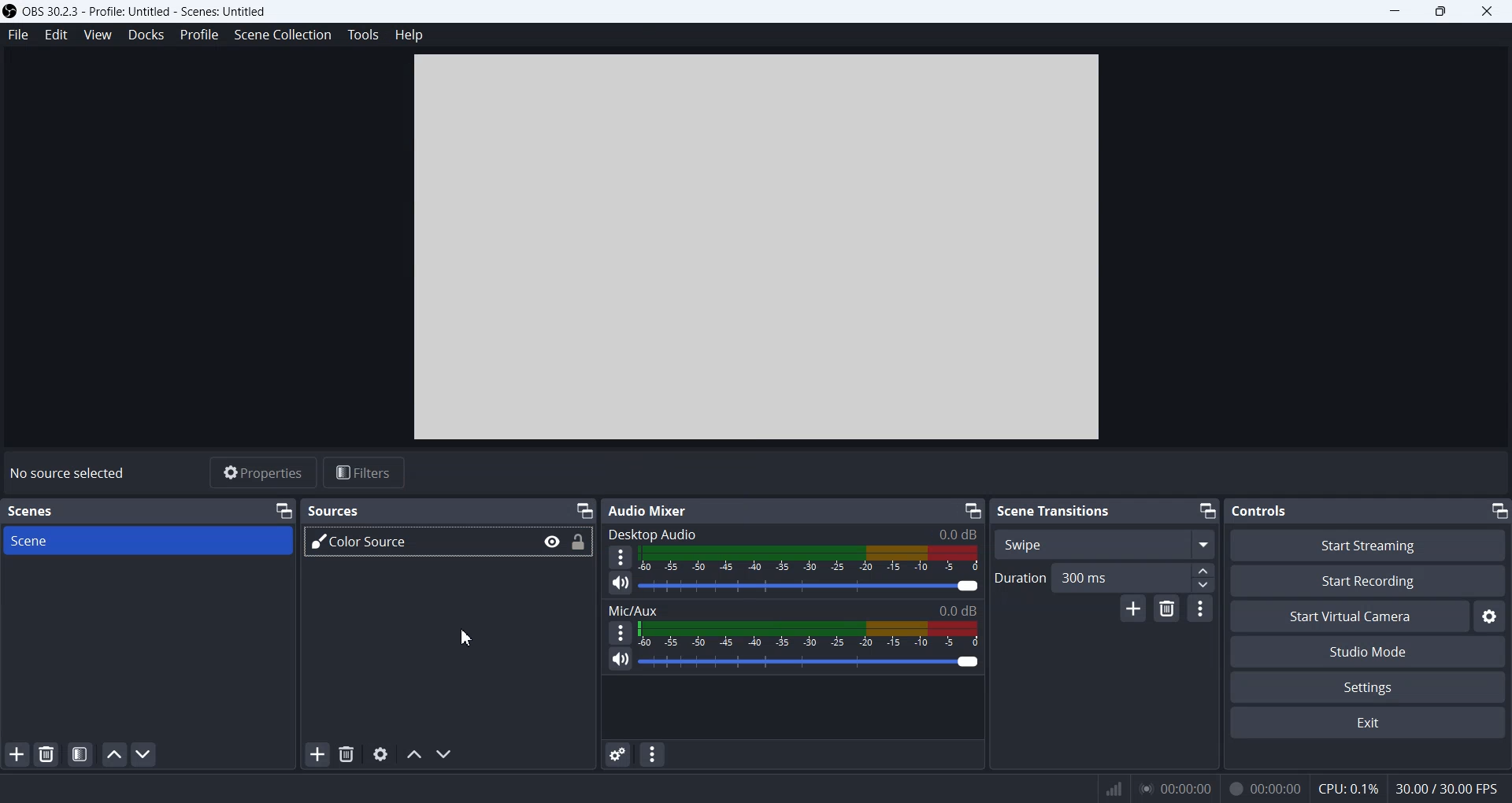 The height and width of the screenshot is (803, 1512). Describe the element at coordinates (1200, 608) in the screenshot. I see `Transition properties` at that location.